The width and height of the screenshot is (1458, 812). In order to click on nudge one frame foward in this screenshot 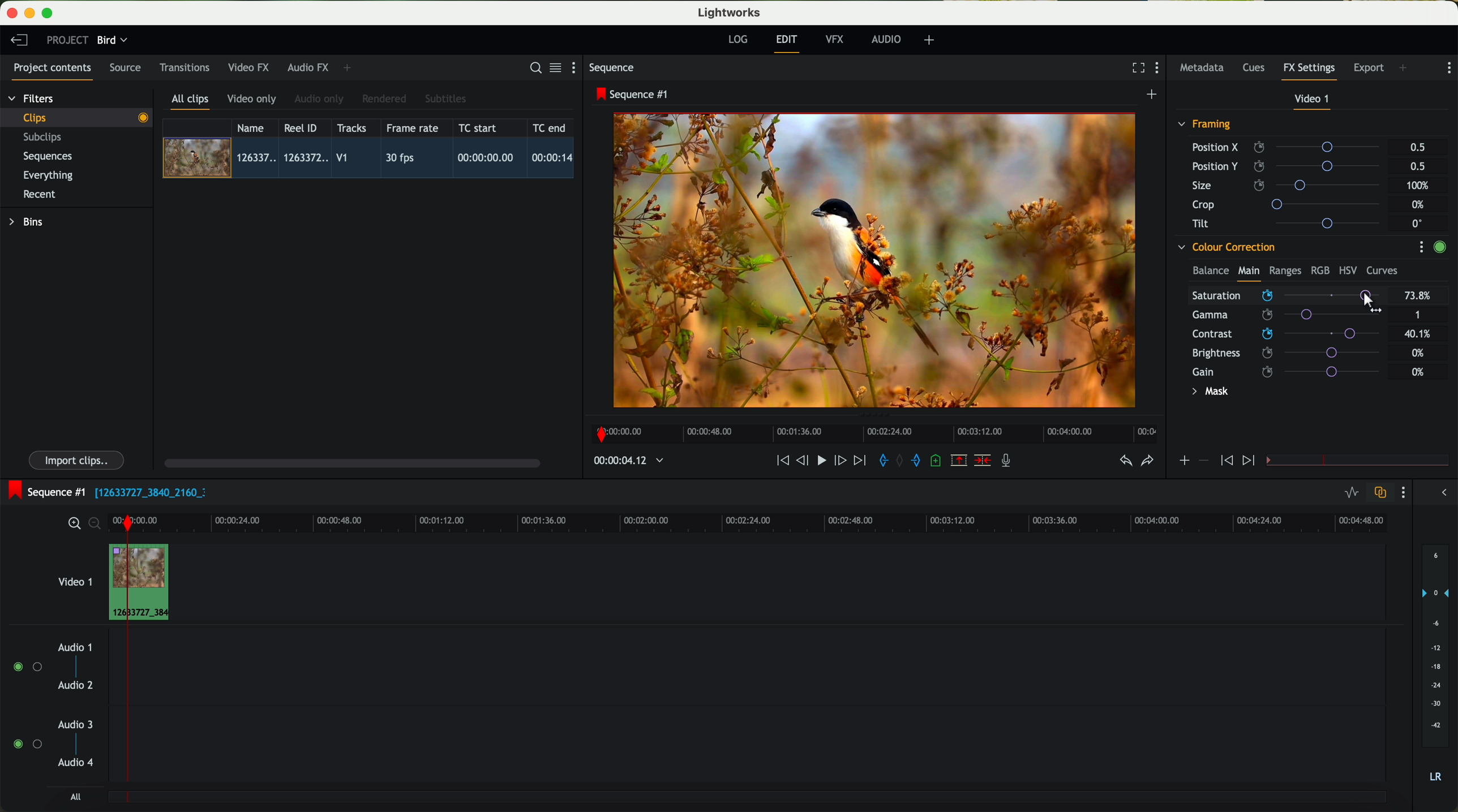, I will do `click(842, 461)`.